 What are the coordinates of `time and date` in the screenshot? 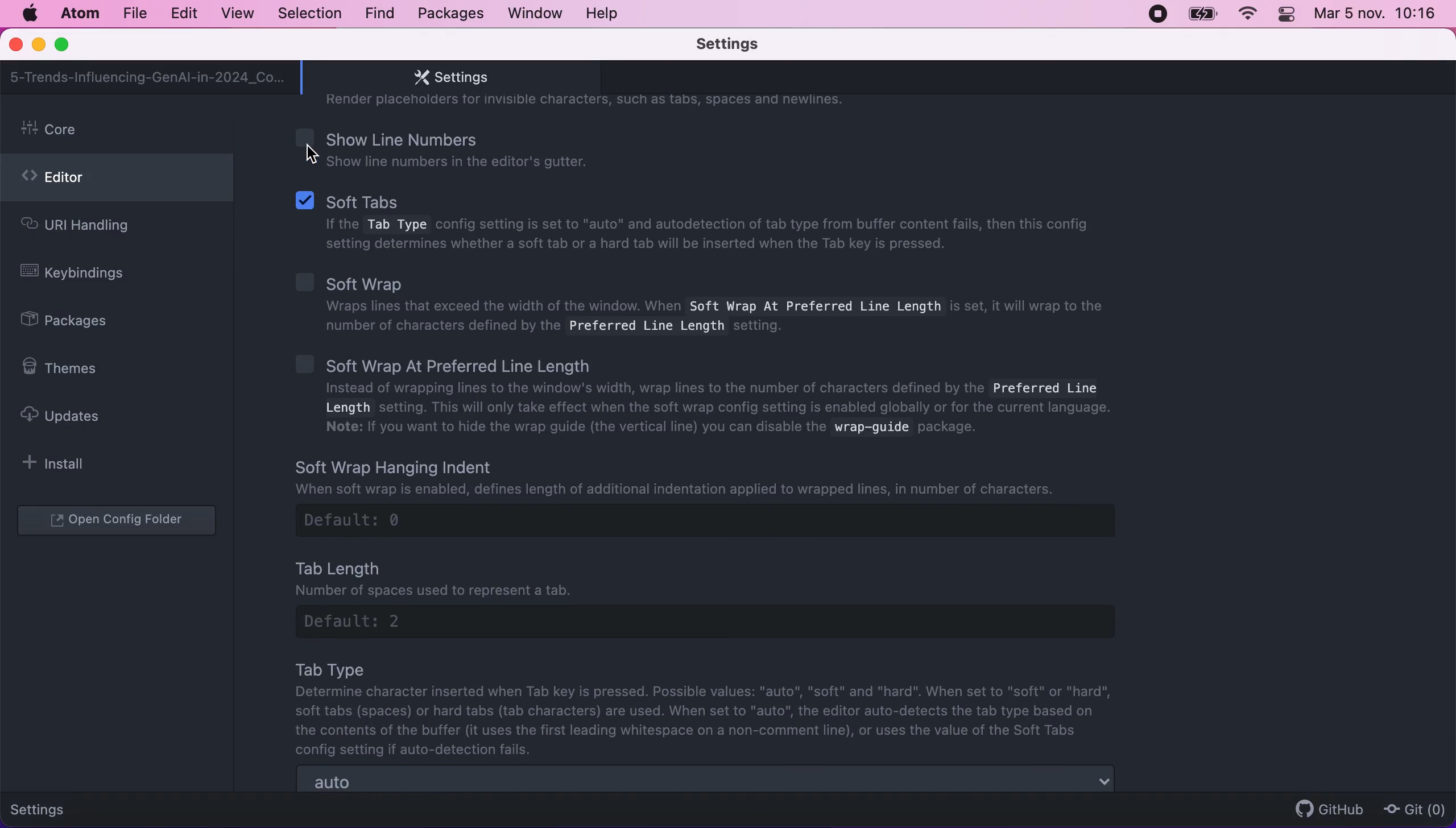 It's located at (1378, 16).